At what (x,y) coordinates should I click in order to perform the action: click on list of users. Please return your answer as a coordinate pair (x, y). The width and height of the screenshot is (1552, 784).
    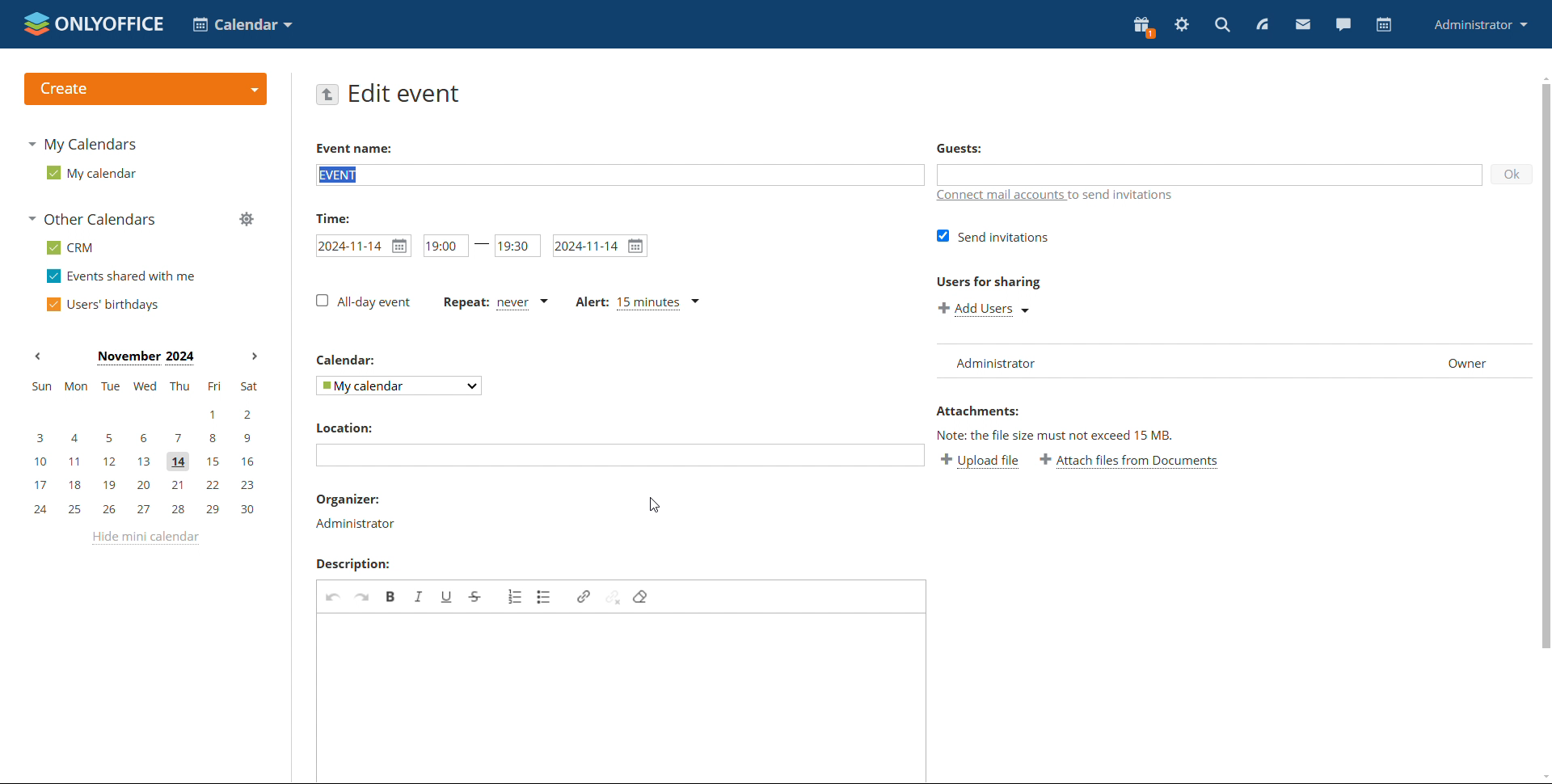
    Looking at the image, I should click on (1234, 361).